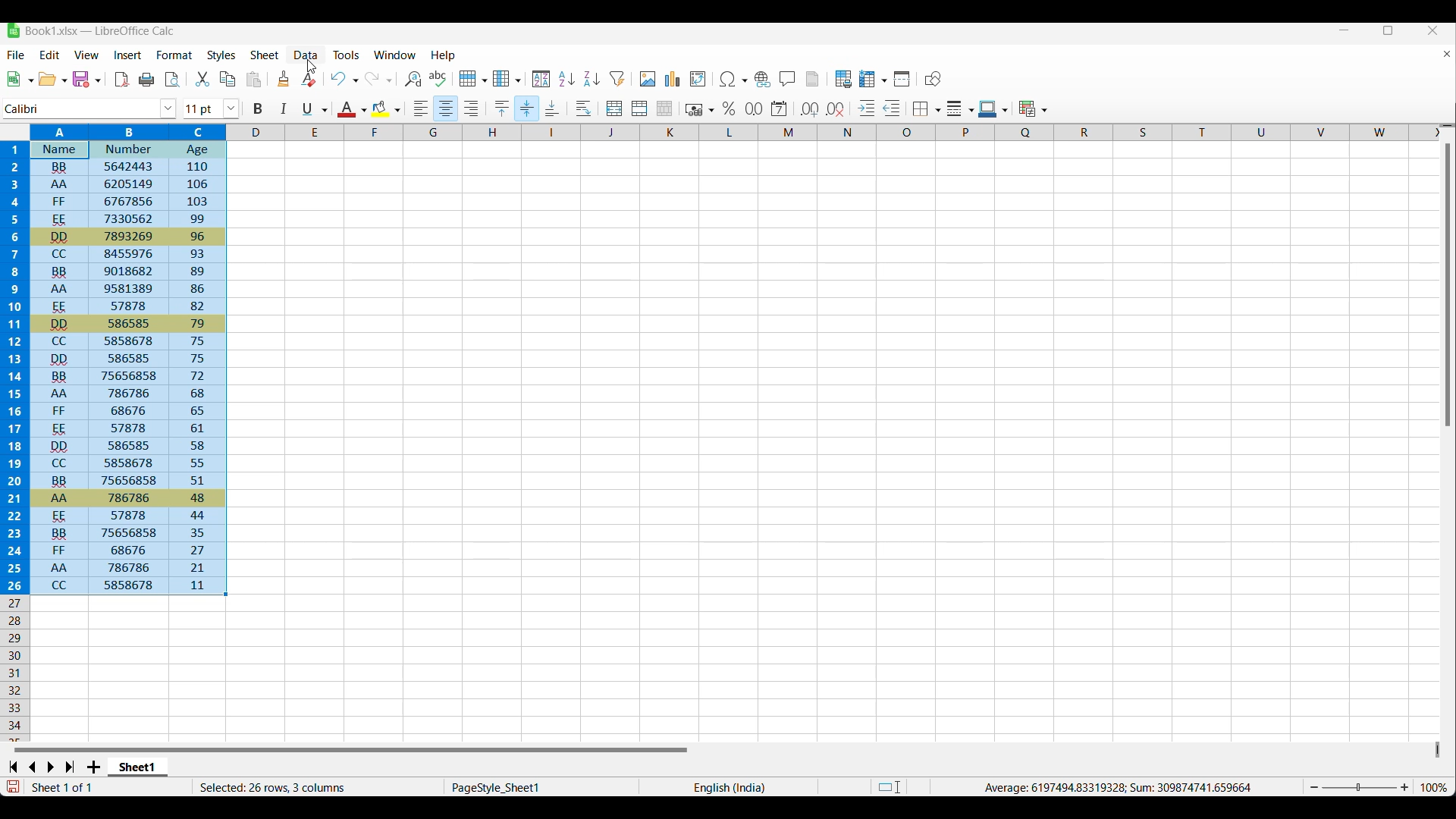 This screenshot has width=1456, height=819. I want to click on Insert chart, so click(673, 79).